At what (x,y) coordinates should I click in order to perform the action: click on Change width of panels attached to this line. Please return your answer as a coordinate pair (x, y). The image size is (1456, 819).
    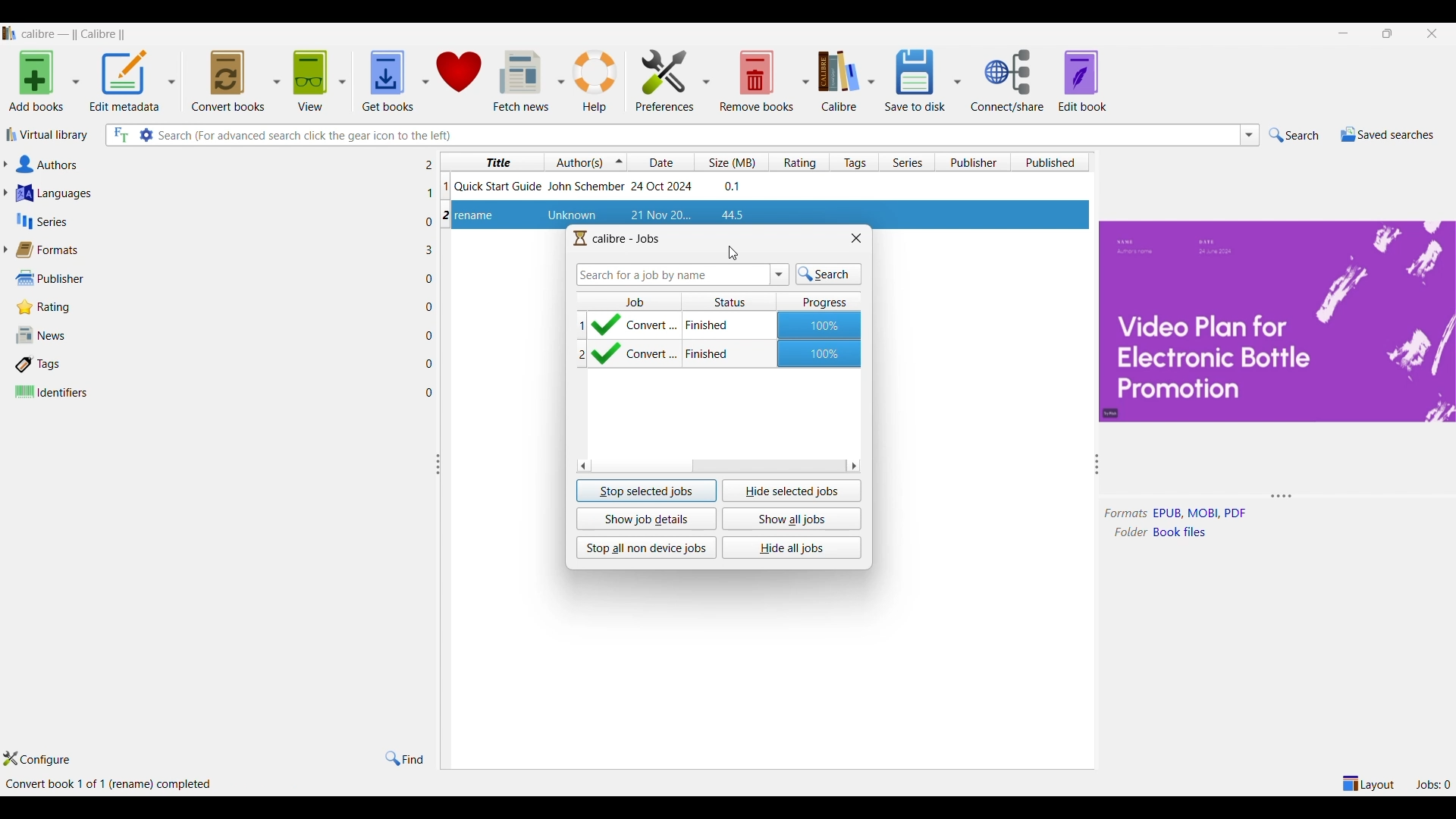
    Looking at the image, I should click on (1091, 580).